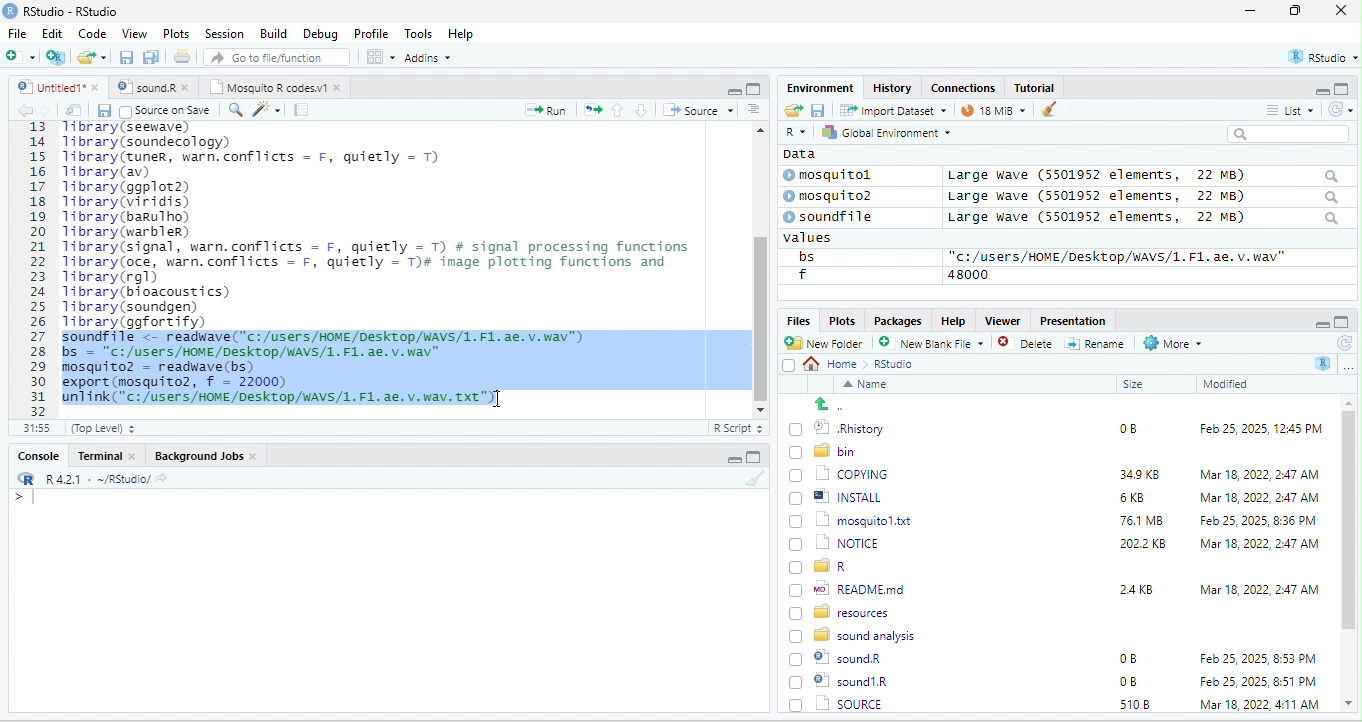 Image resolution: width=1362 pixels, height=722 pixels. I want to click on brush, so click(1044, 111).